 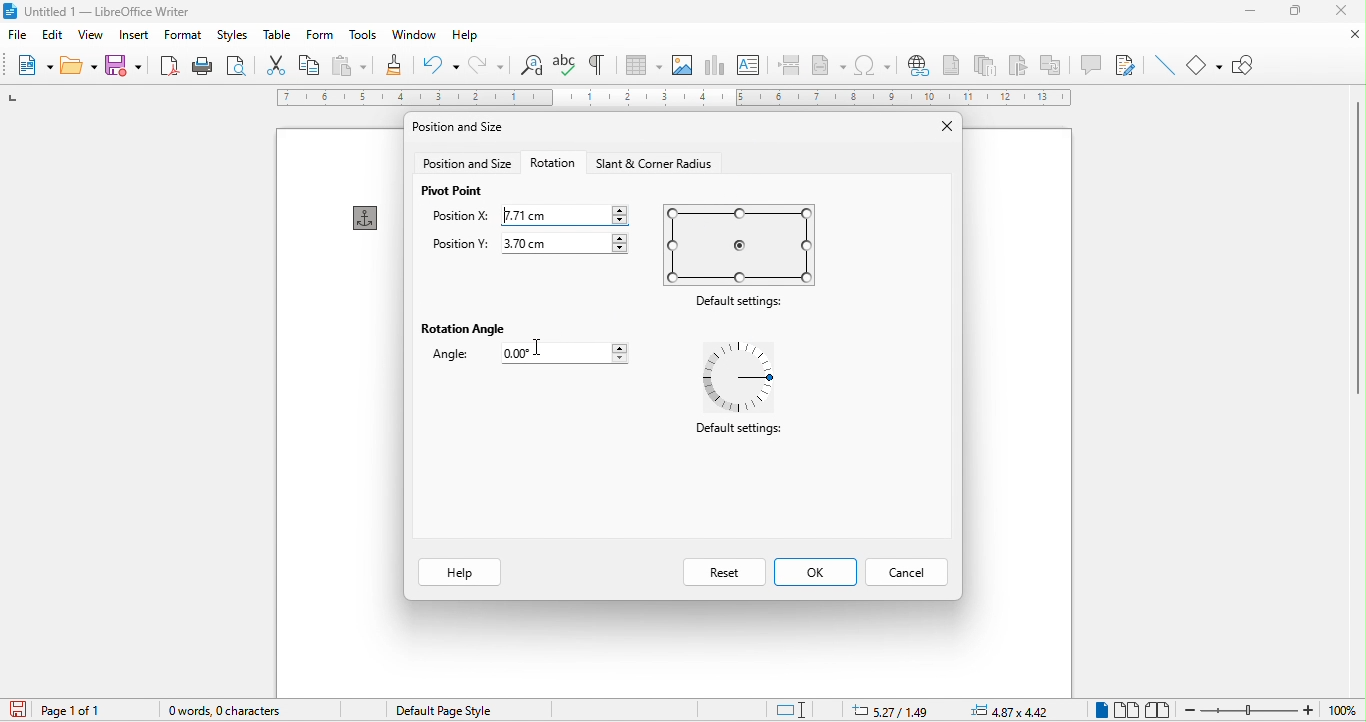 I want to click on show draw function, so click(x=1245, y=62).